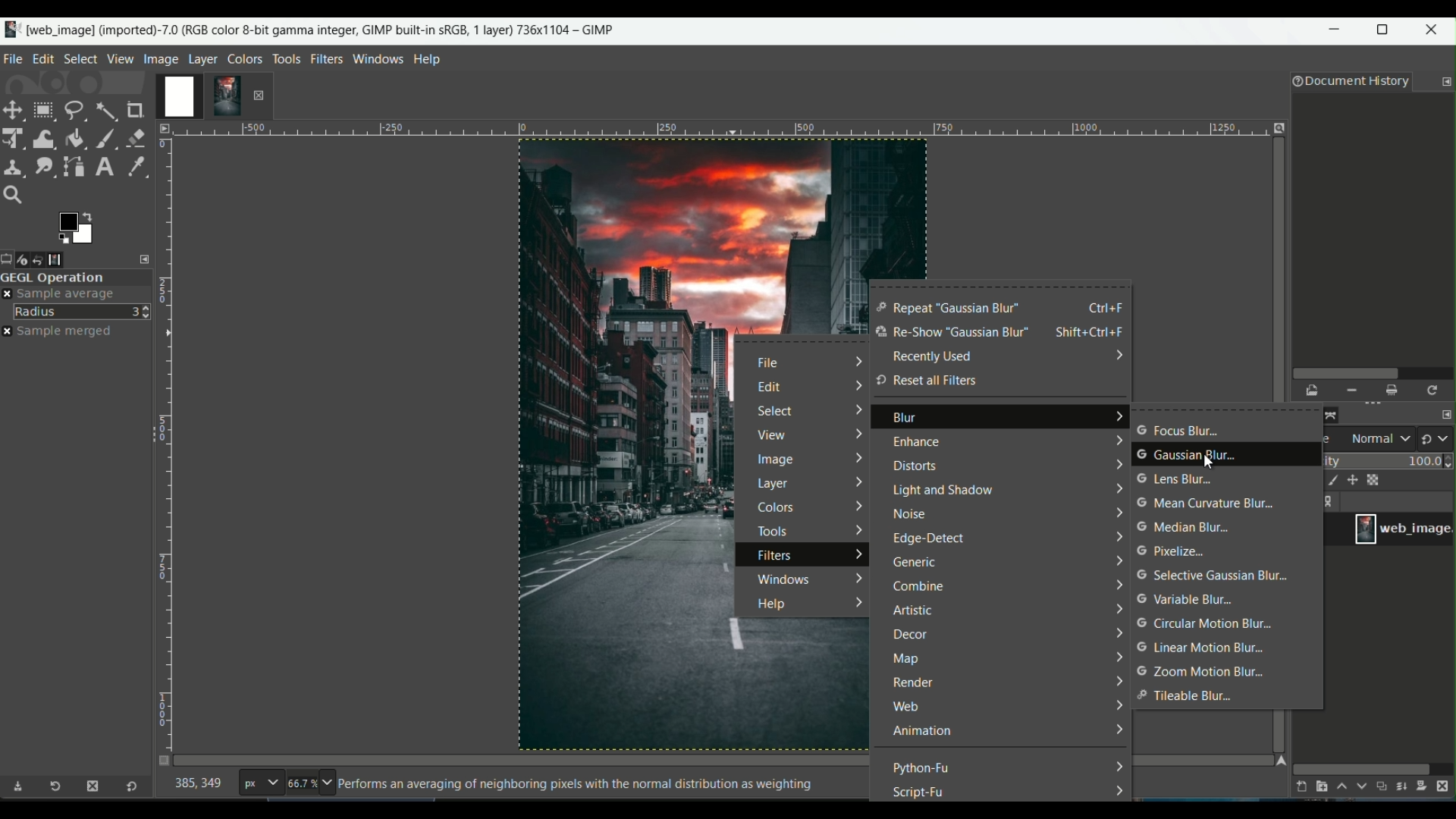 The width and height of the screenshot is (1456, 819). I want to click on app name, so click(309, 28).